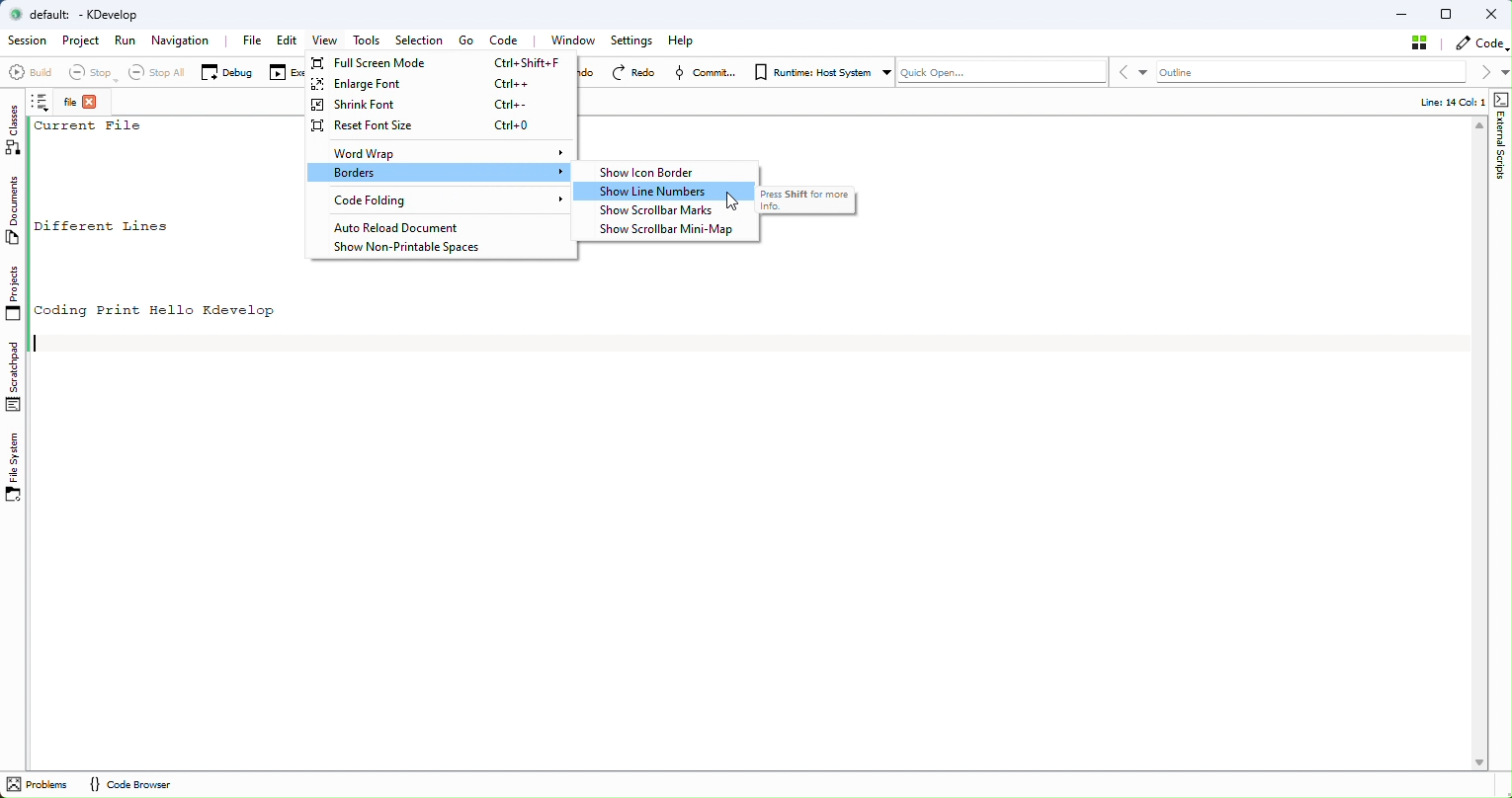 The height and width of the screenshot is (798, 1512). What do you see at coordinates (632, 41) in the screenshot?
I see `Settings` at bounding box center [632, 41].